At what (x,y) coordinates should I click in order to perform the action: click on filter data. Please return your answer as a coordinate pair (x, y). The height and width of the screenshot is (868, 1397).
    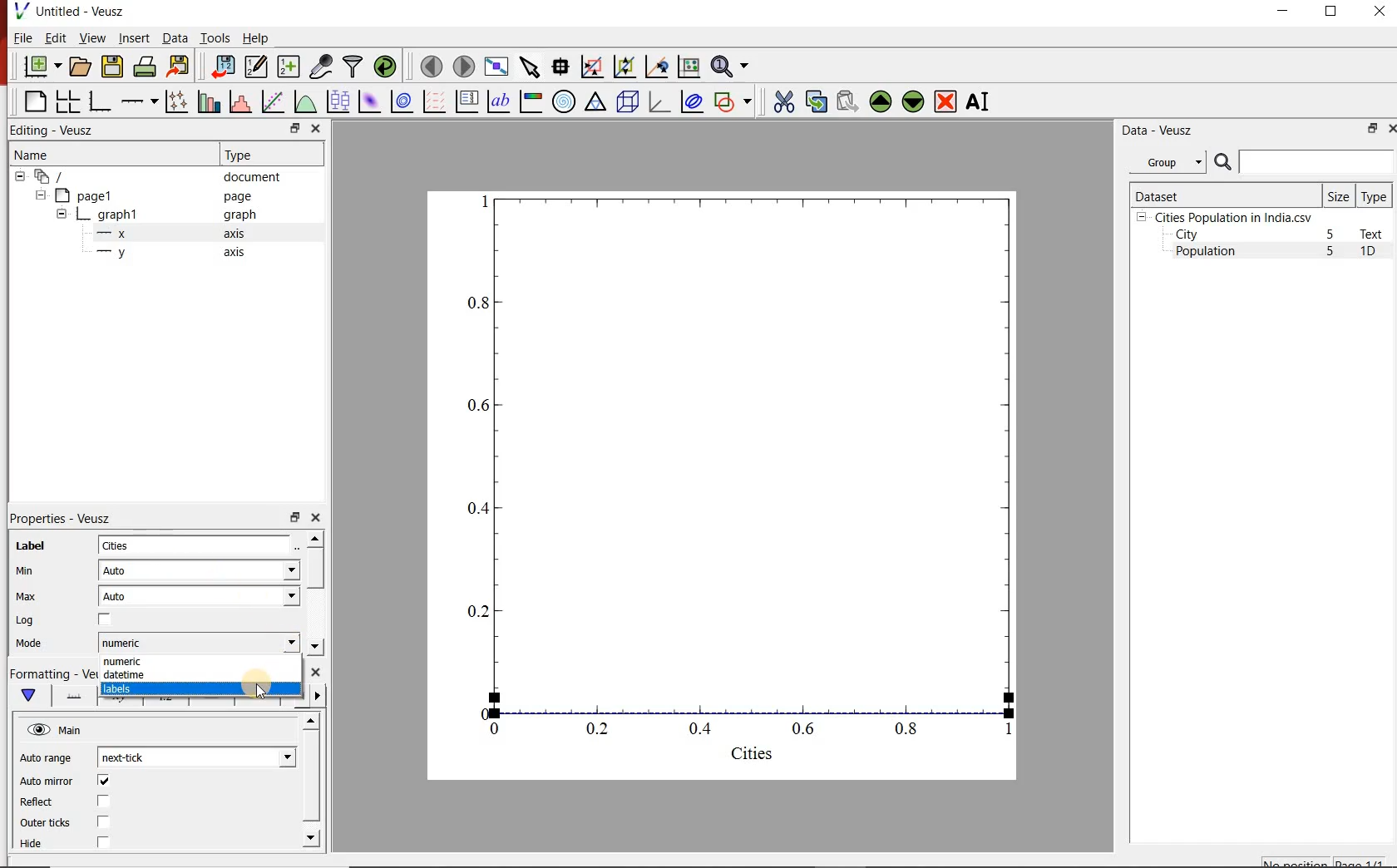
    Looking at the image, I should click on (353, 67).